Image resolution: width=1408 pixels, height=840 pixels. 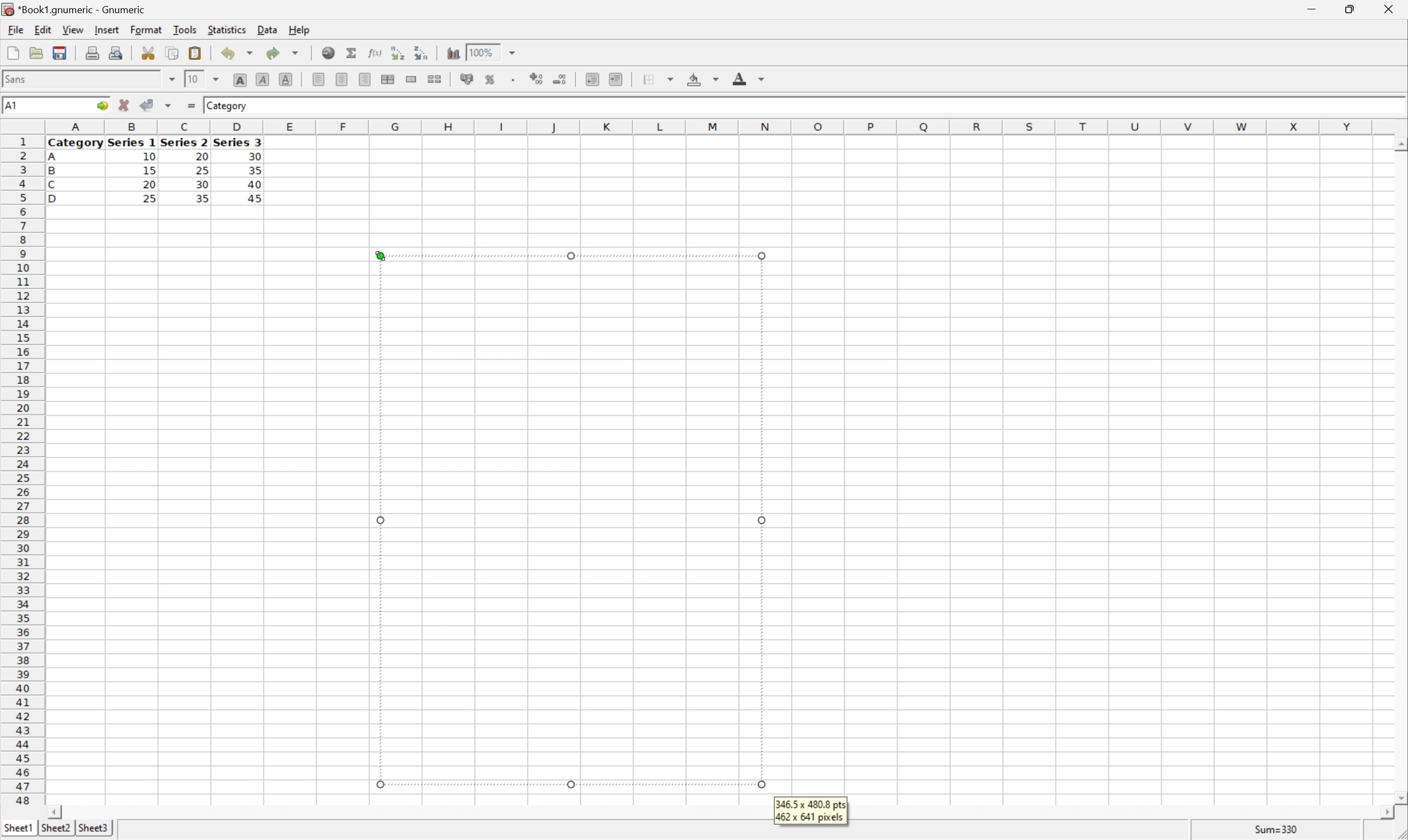 I want to click on Scroll Left, so click(x=57, y=812).